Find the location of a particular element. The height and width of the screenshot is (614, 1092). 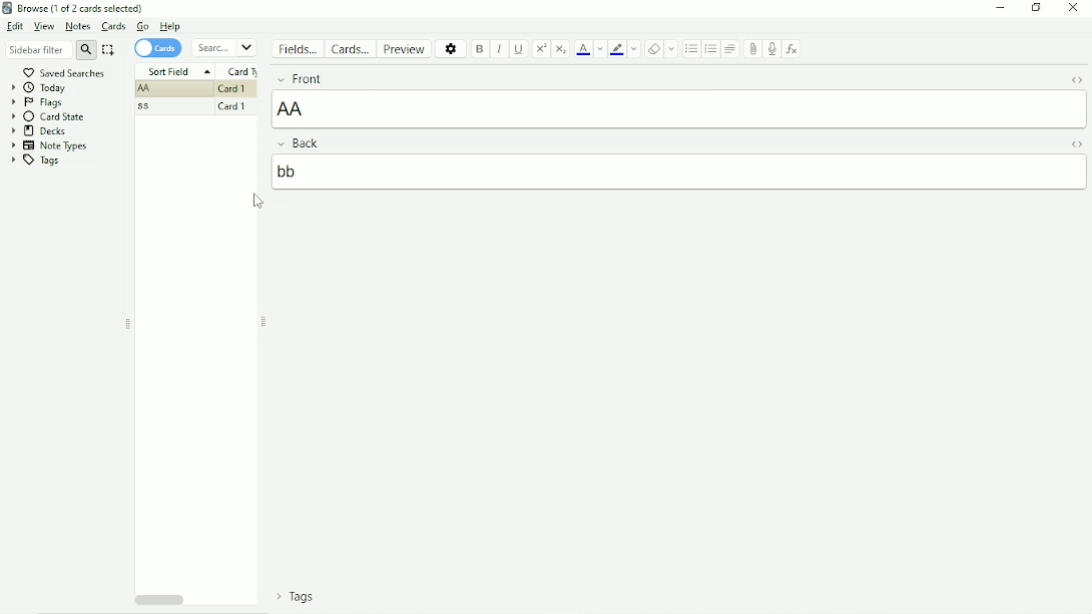

Cards is located at coordinates (351, 48).